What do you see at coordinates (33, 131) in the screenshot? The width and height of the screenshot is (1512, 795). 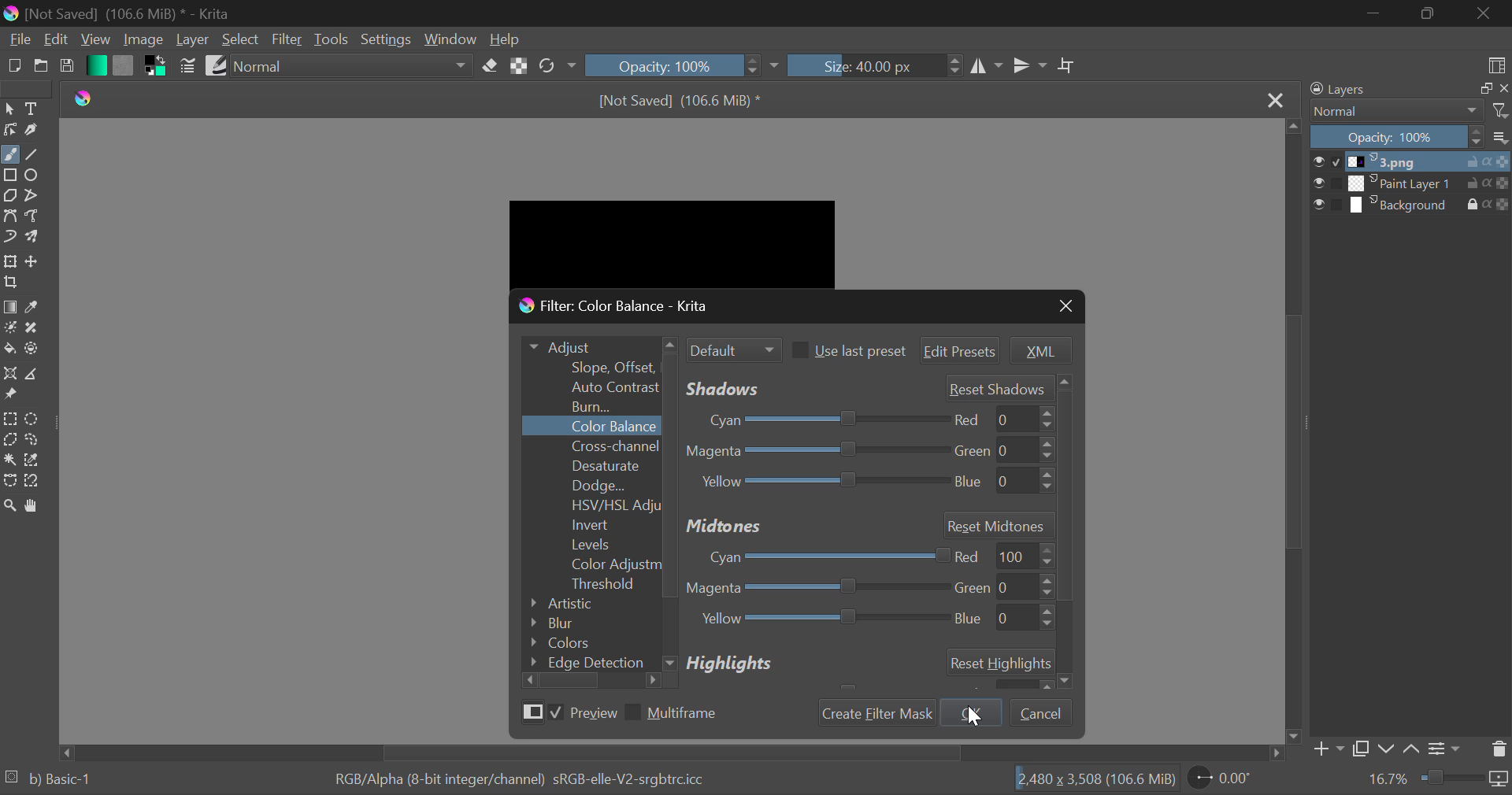 I see `Calligraphic Tool` at bounding box center [33, 131].